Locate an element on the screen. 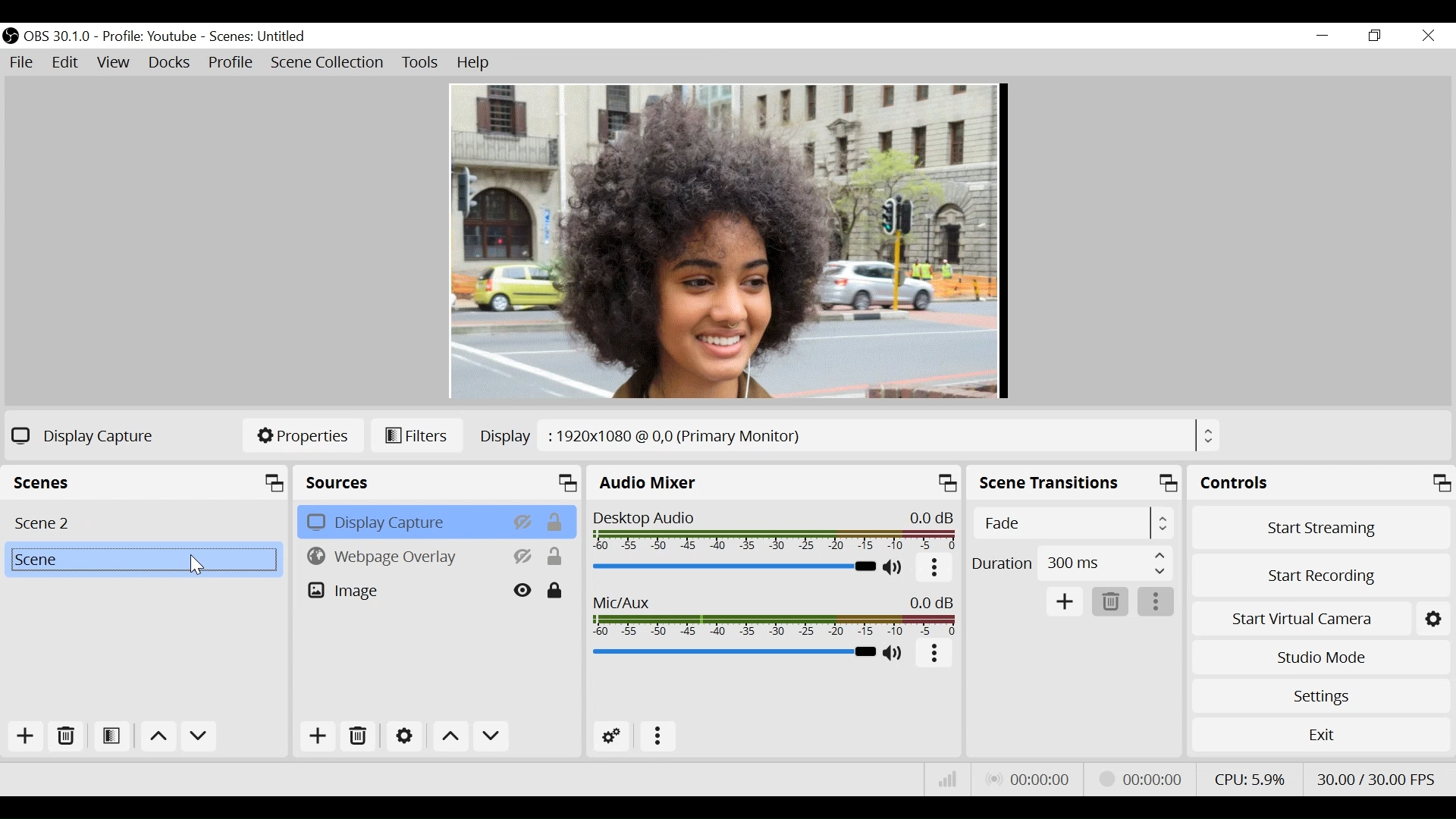  Scene Transition is located at coordinates (1075, 483).